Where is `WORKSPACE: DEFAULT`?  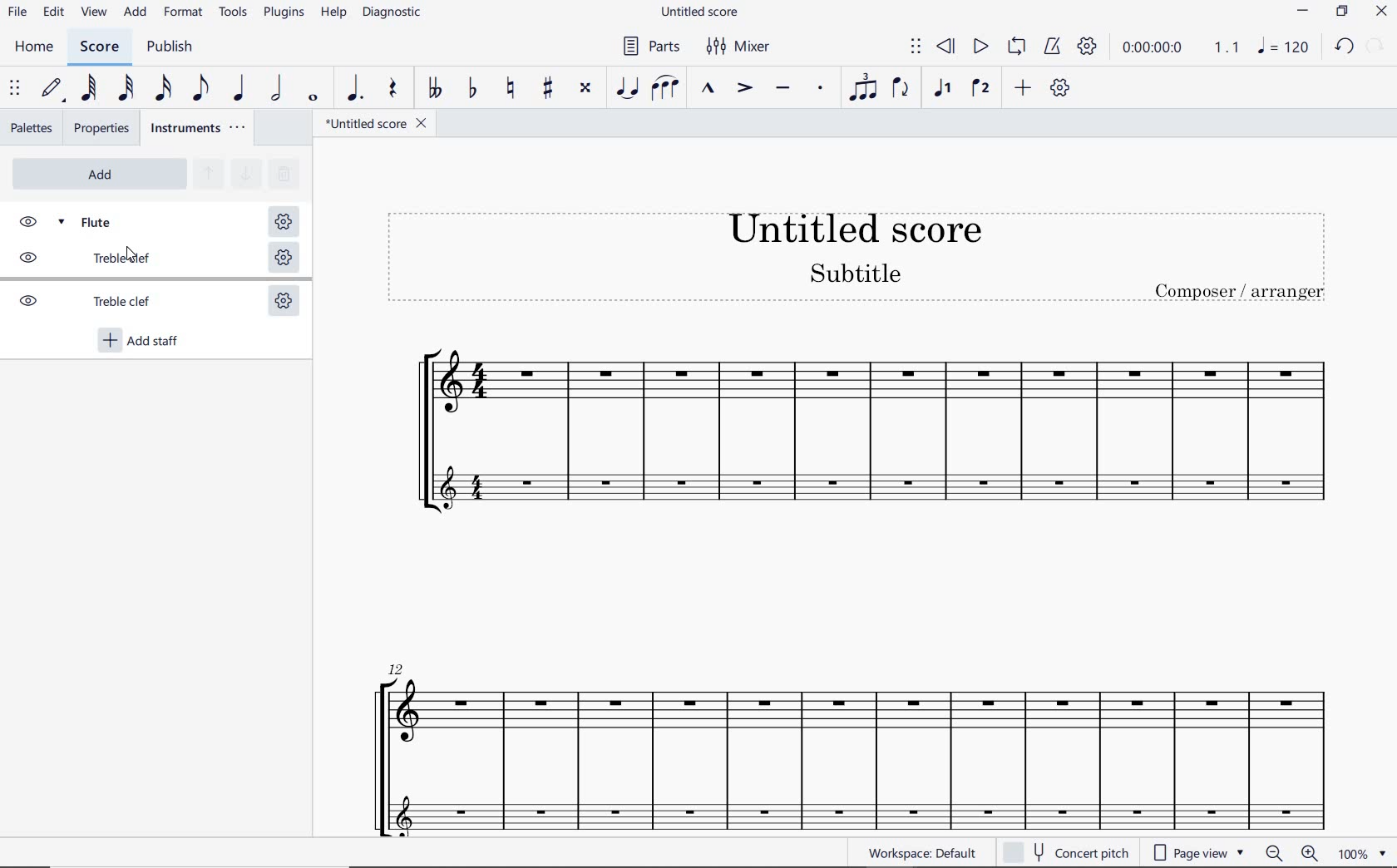
WORKSPACE: DEFAULT is located at coordinates (926, 853).